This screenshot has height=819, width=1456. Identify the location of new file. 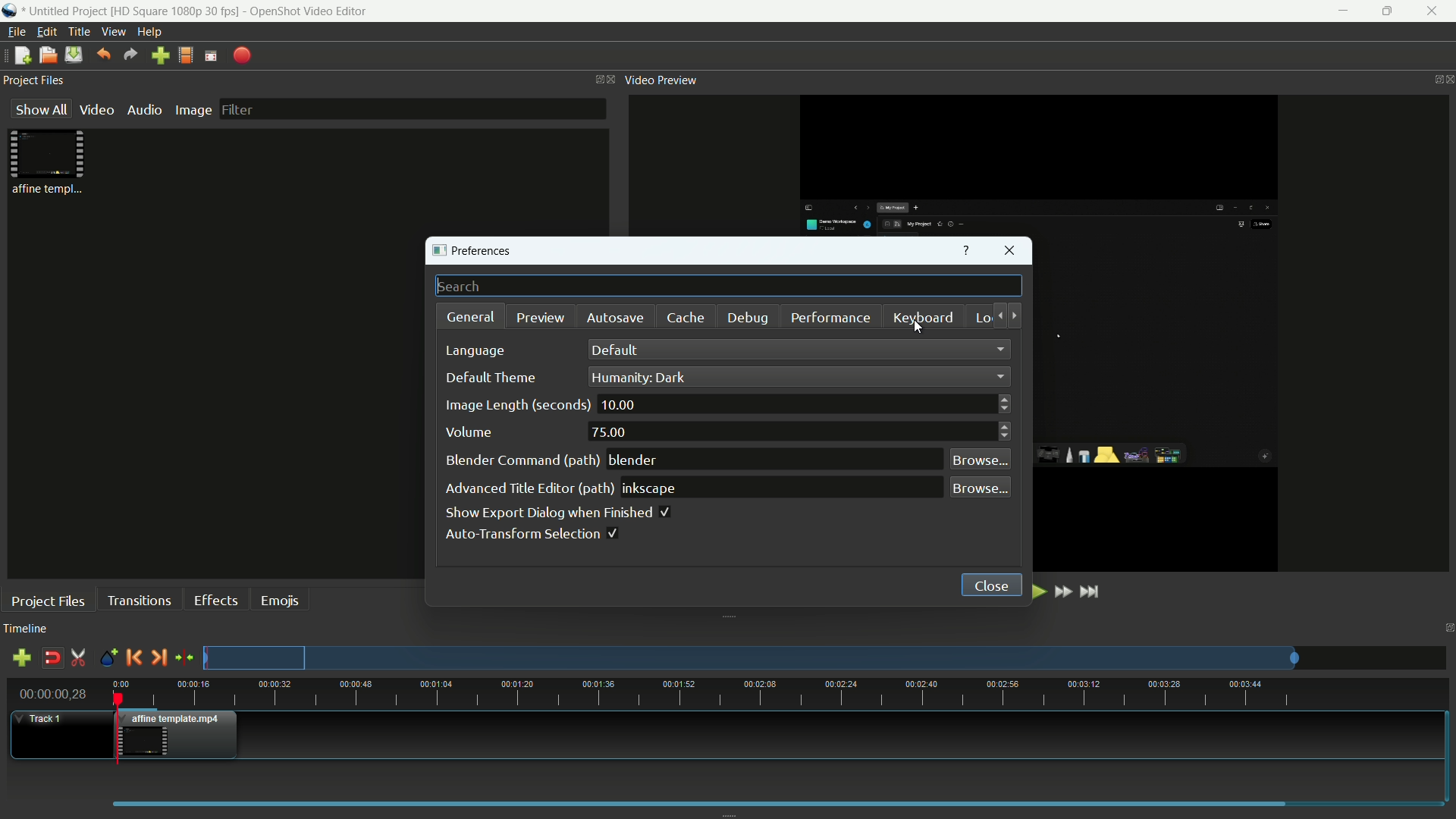
(20, 56).